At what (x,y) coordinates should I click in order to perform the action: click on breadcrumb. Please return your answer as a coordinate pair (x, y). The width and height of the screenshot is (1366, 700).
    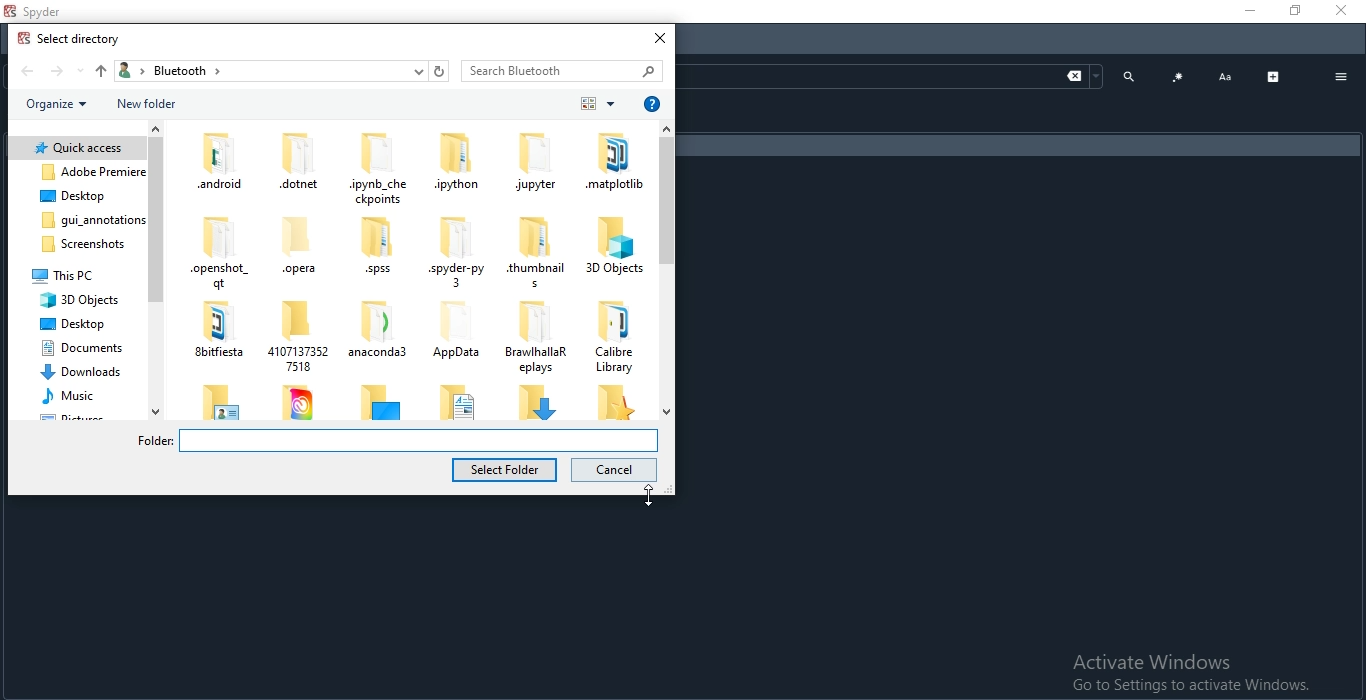
    Looking at the image, I should click on (282, 72).